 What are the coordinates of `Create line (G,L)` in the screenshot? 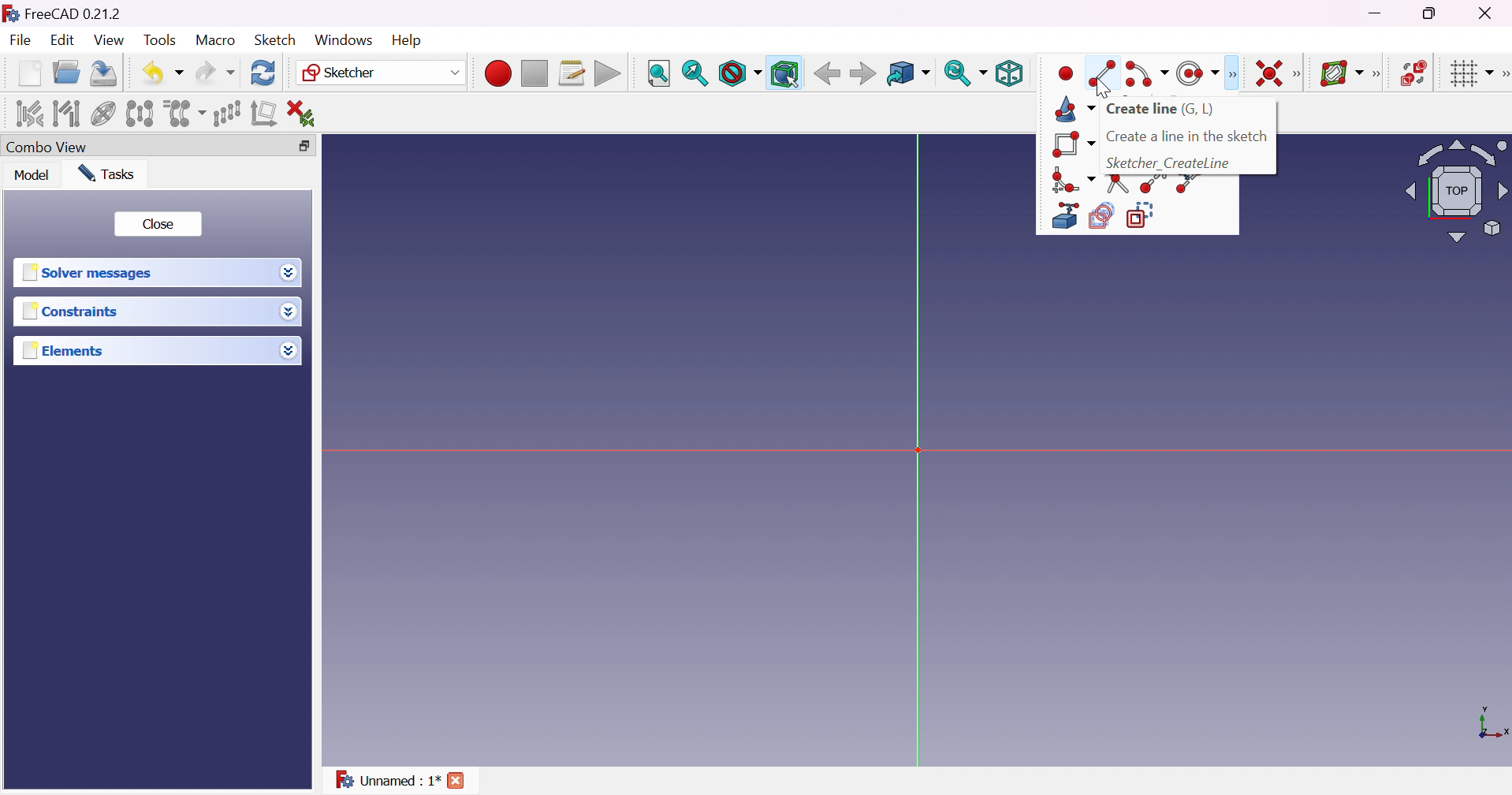 It's located at (1163, 110).